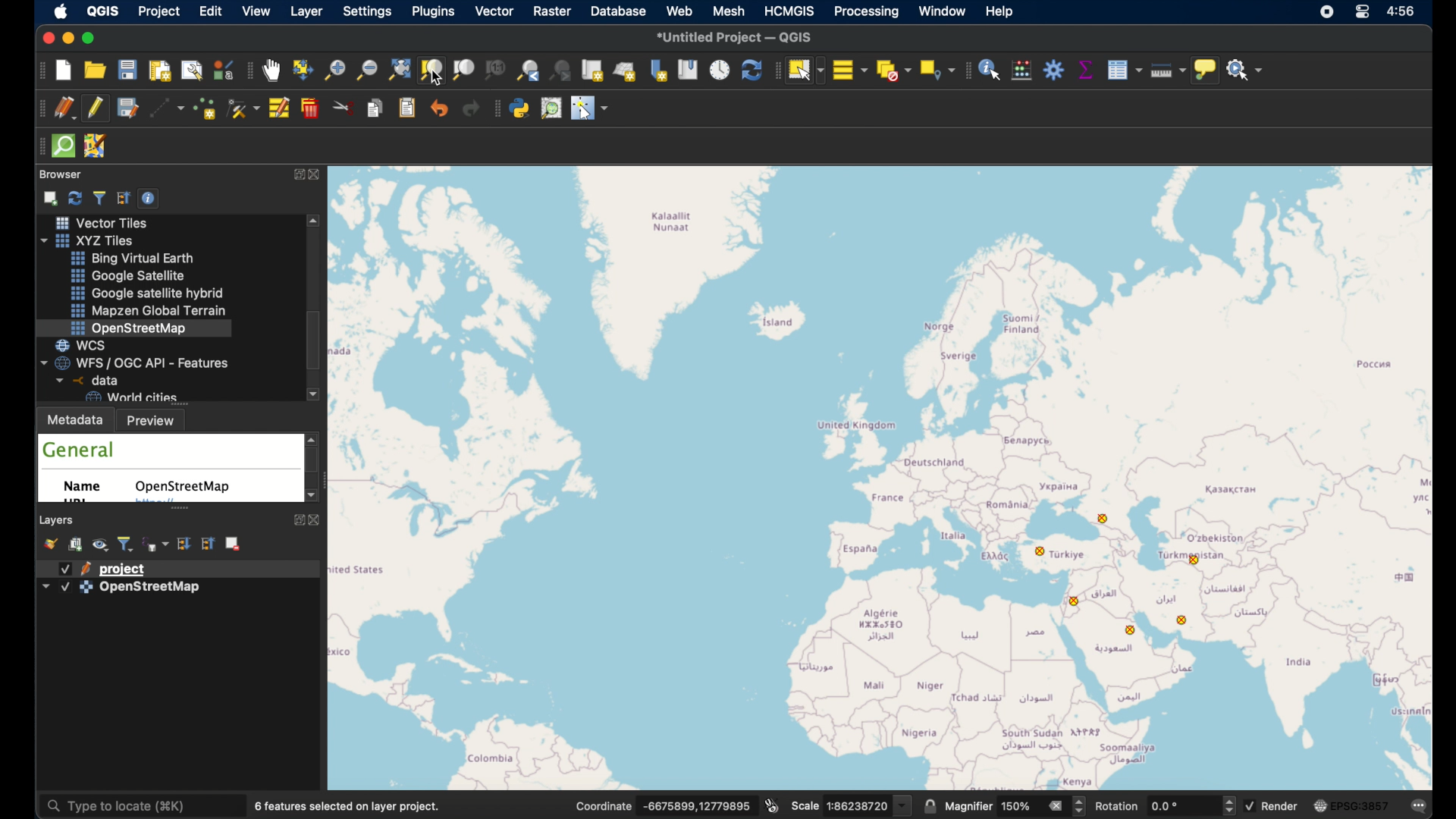  I want to click on magnifier, so click(968, 806).